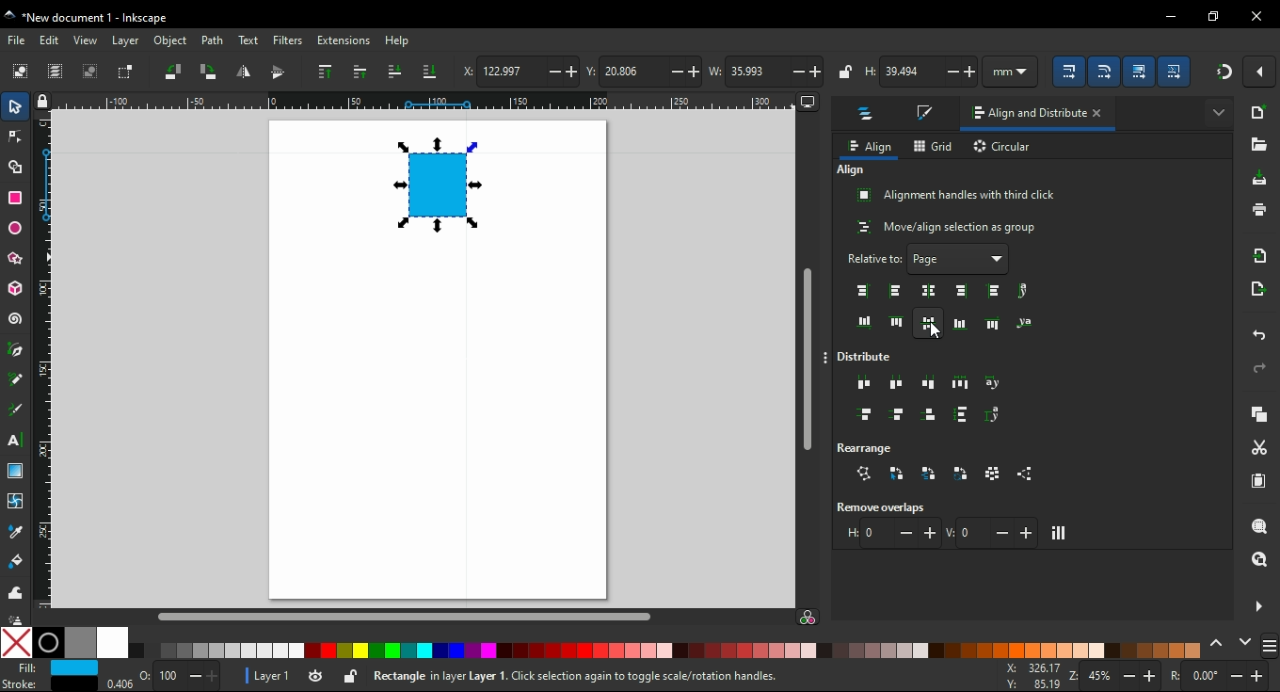 The width and height of the screenshot is (1280, 692). What do you see at coordinates (960, 382) in the screenshot?
I see `distribute horizontally with even horizontal gaps` at bounding box center [960, 382].